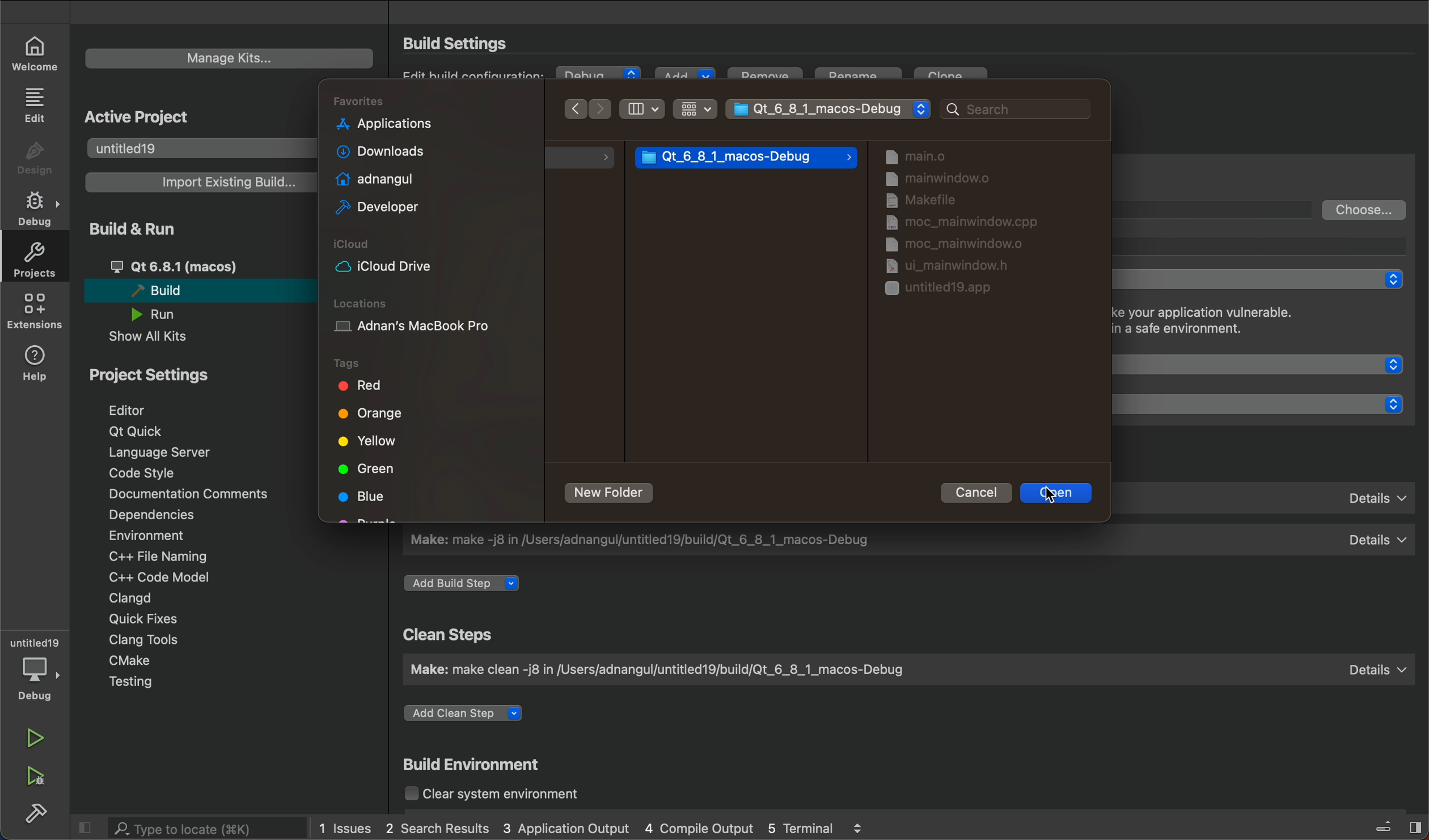  Describe the element at coordinates (591, 108) in the screenshot. I see `arrows` at that location.